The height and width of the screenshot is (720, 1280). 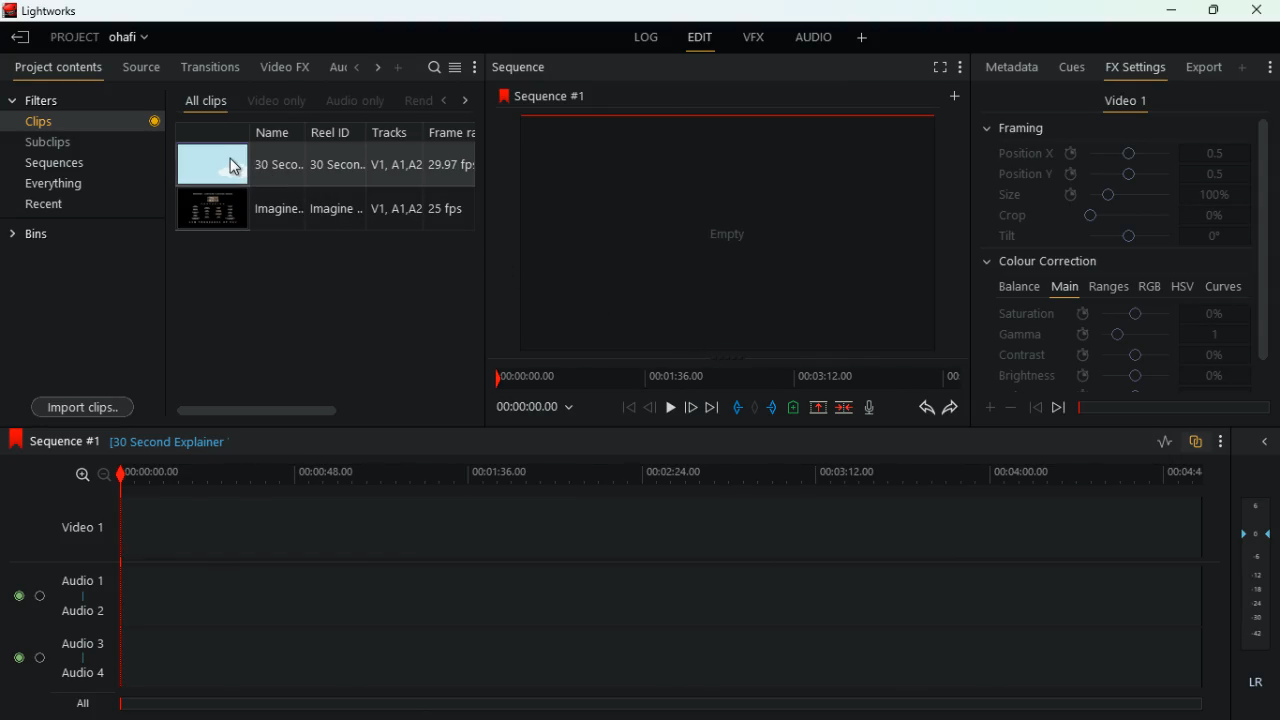 What do you see at coordinates (1262, 441) in the screenshot?
I see `back` at bounding box center [1262, 441].